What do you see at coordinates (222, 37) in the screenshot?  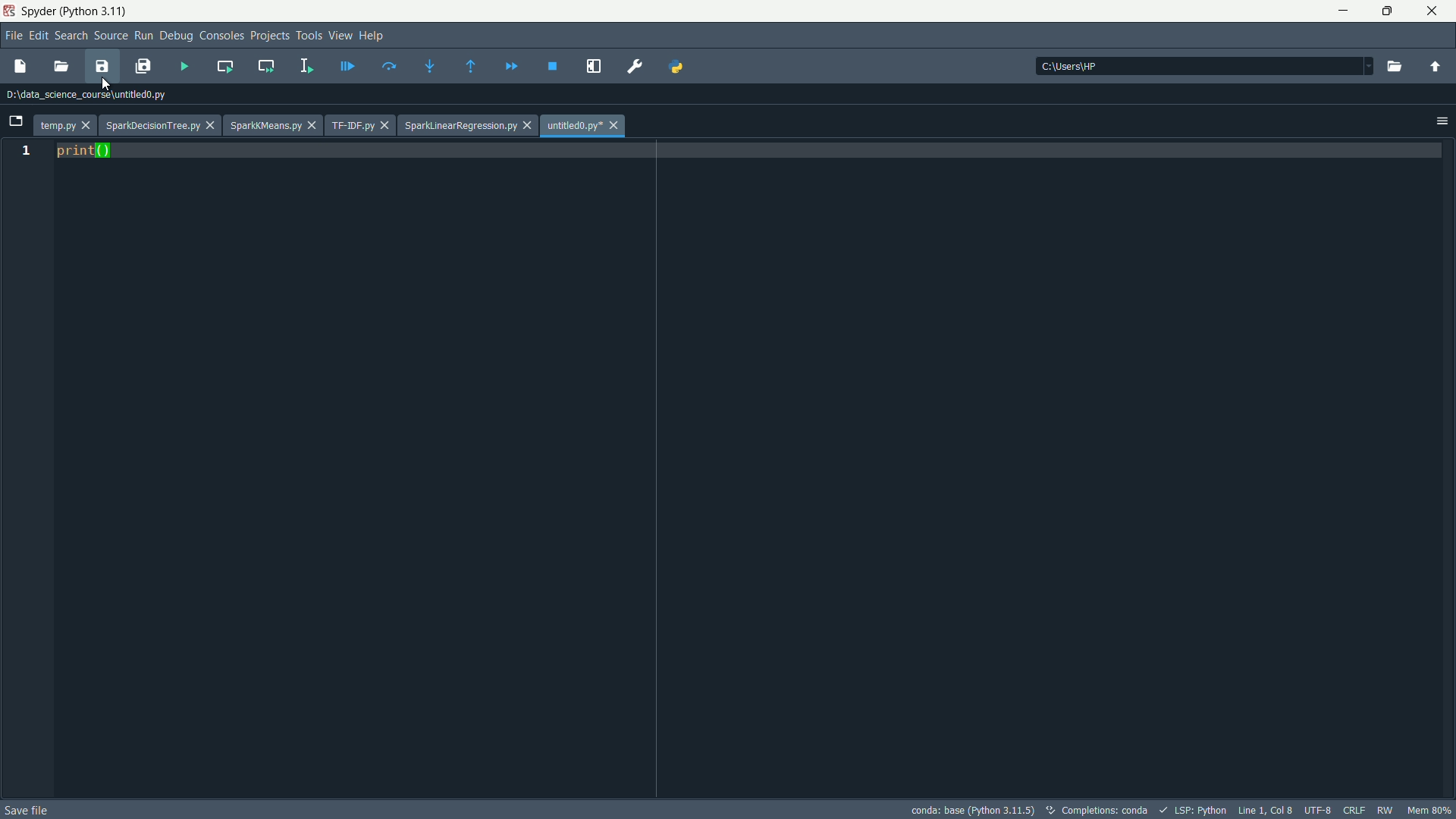 I see `Consoles` at bounding box center [222, 37].